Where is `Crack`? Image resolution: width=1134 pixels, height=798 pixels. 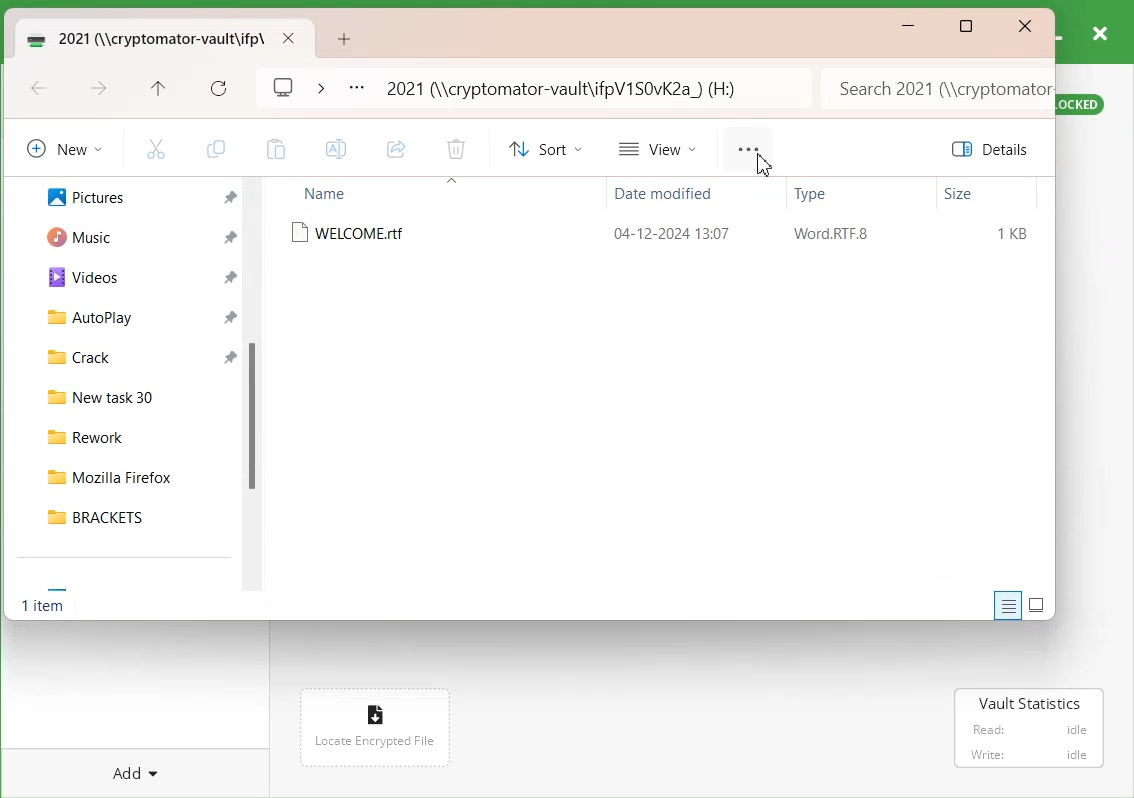 Crack is located at coordinates (67, 355).